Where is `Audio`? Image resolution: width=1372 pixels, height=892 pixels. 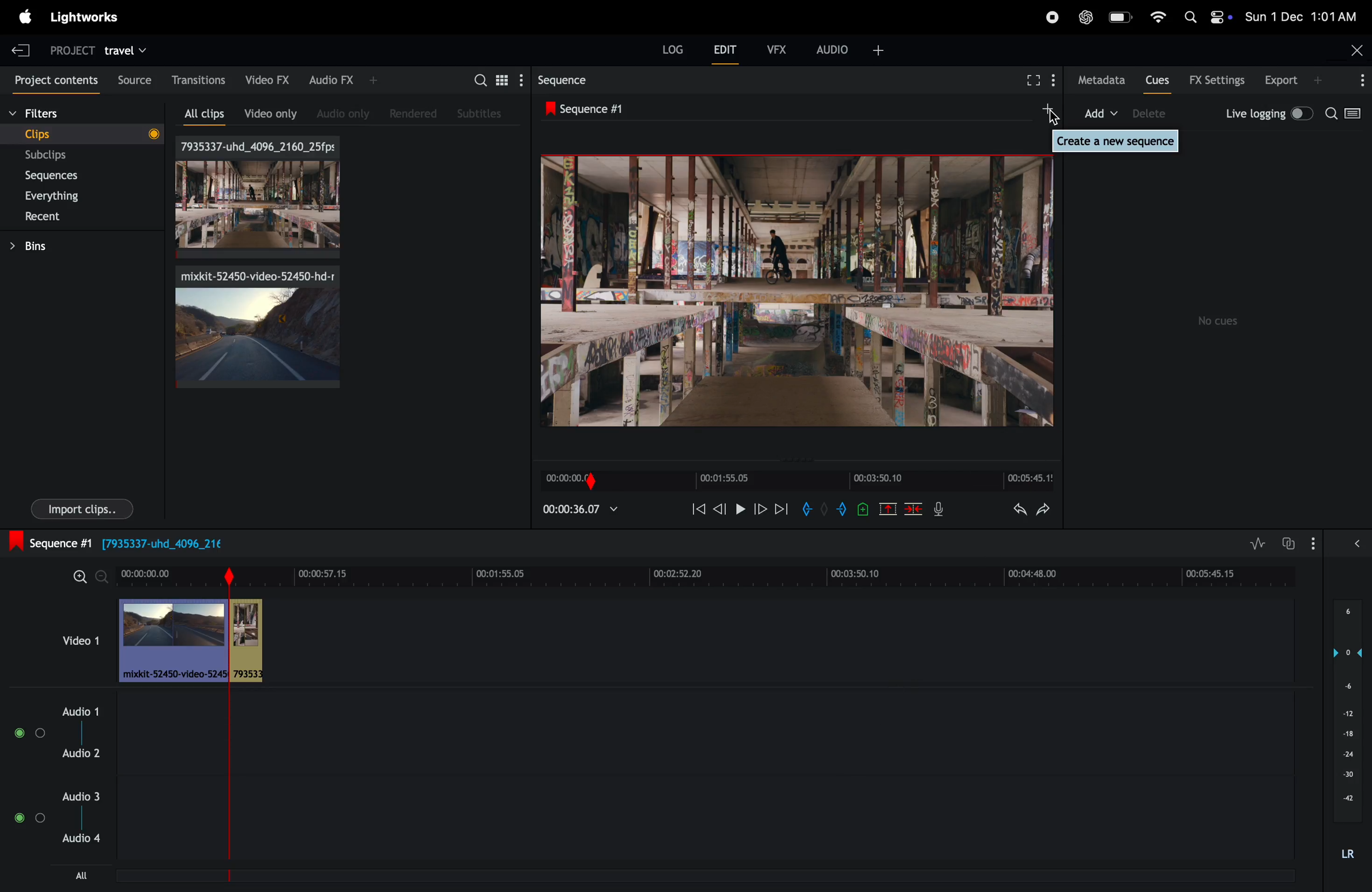 Audio is located at coordinates (29, 815).